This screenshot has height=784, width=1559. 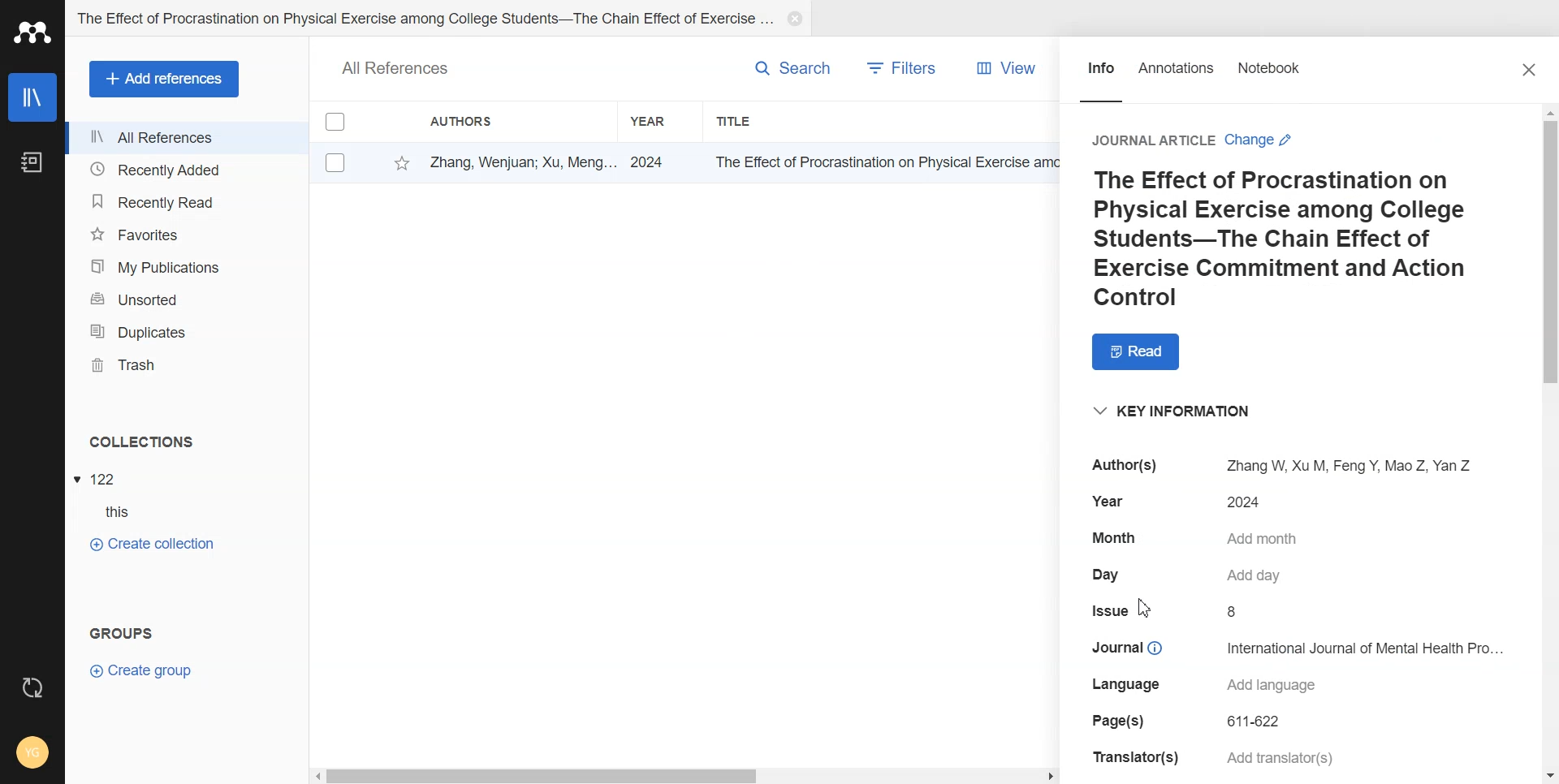 I want to click on Author(s) Zhang W, Xu M, Feng Y, Mao Z, Yan Z, so click(x=1286, y=465).